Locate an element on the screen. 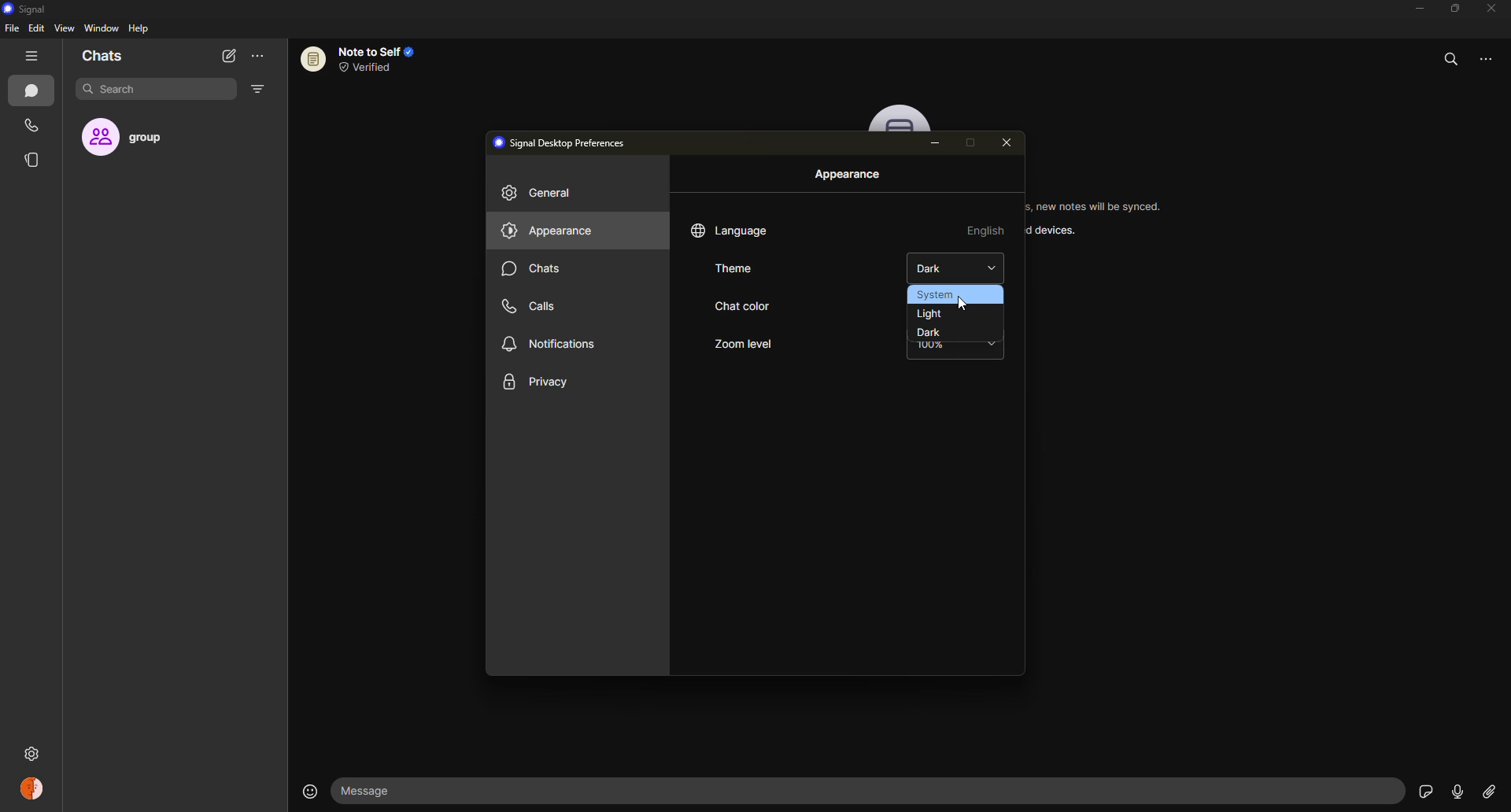 This screenshot has width=1511, height=812. record is located at coordinates (1452, 791).